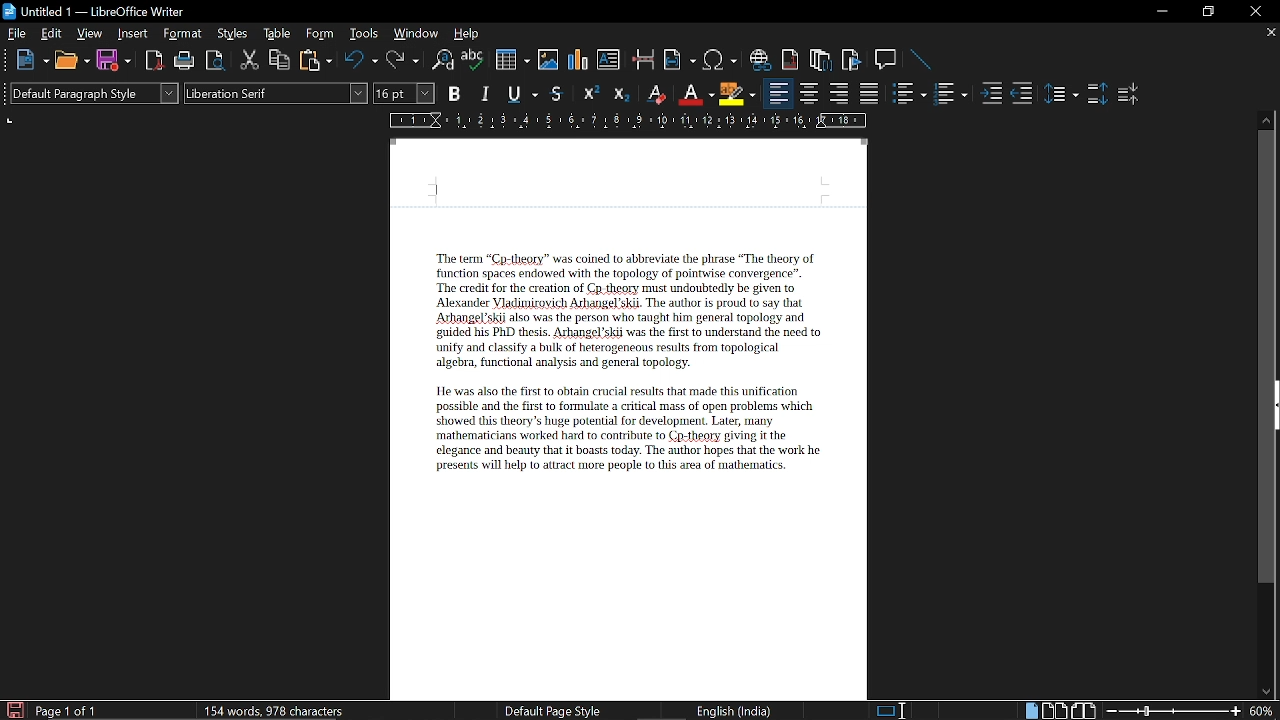 The height and width of the screenshot is (720, 1280). What do you see at coordinates (738, 93) in the screenshot?
I see `Highlight` at bounding box center [738, 93].